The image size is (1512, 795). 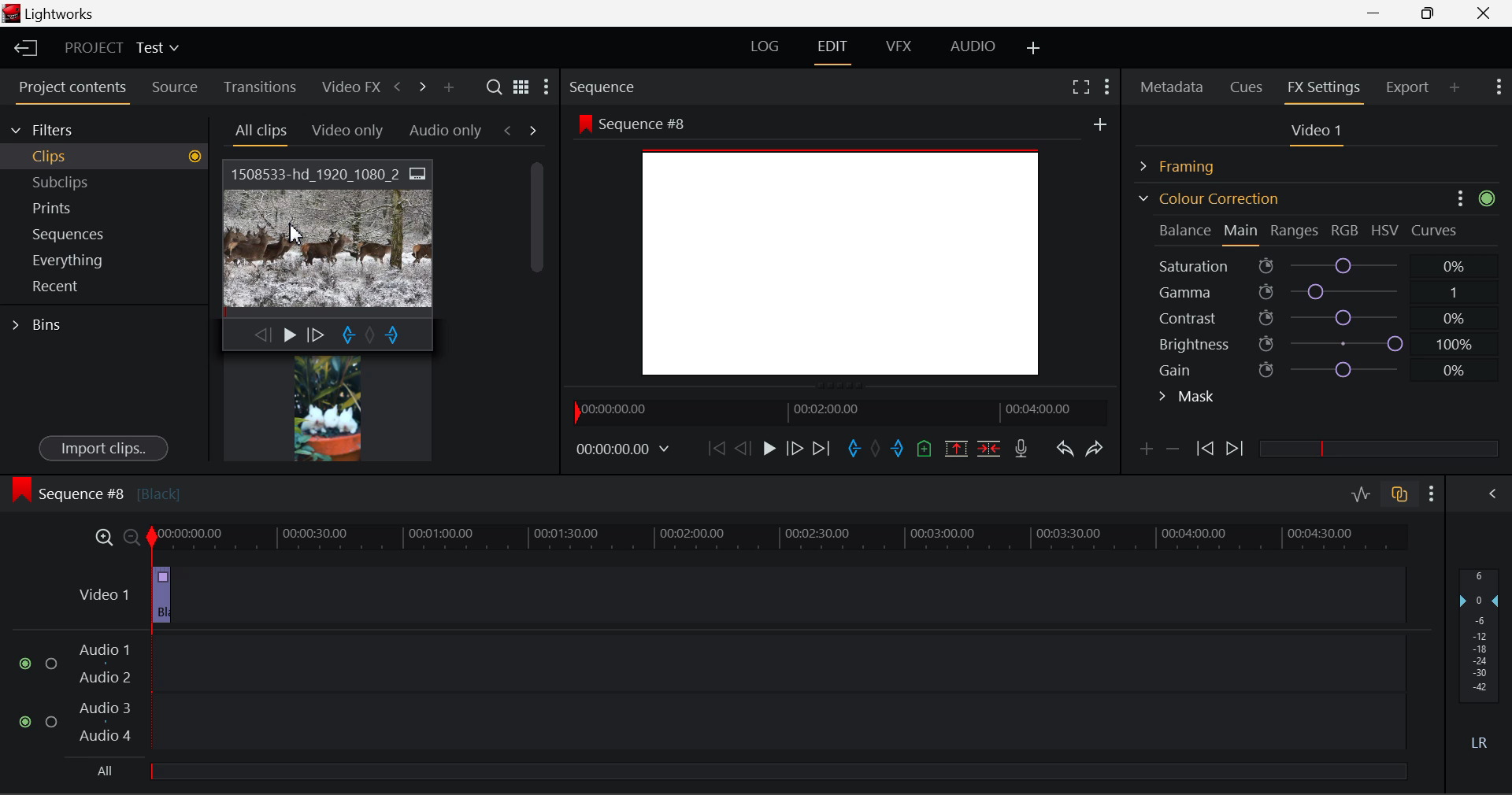 I want to click on AUDIO Layout, so click(x=972, y=46).